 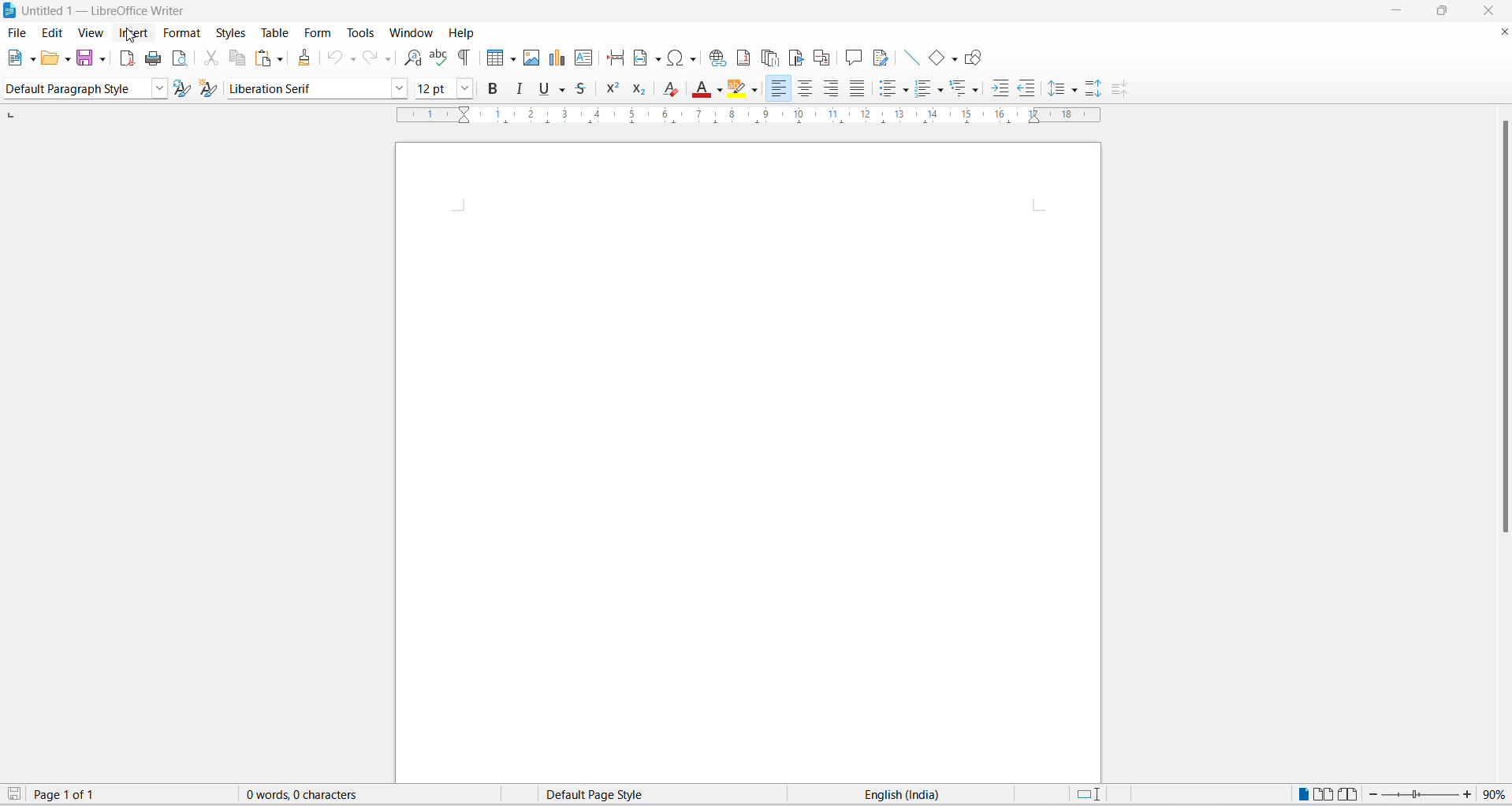 I want to click on subscript, so click(x=646, y=91).